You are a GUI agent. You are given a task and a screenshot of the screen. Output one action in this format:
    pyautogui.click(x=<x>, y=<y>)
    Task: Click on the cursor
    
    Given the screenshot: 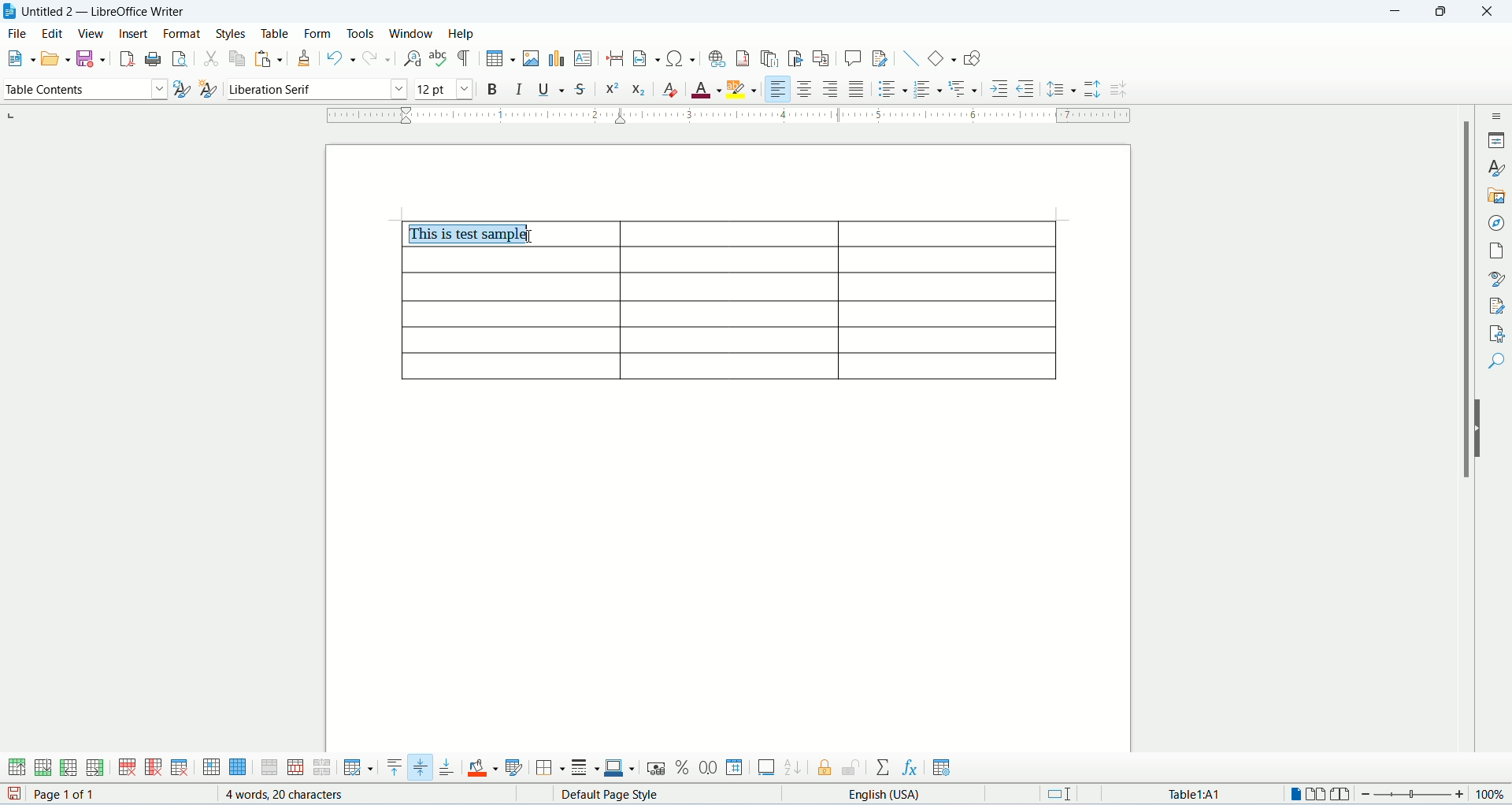 What is the action you would take?
    pyautogui.click(x=531, y=236)
    